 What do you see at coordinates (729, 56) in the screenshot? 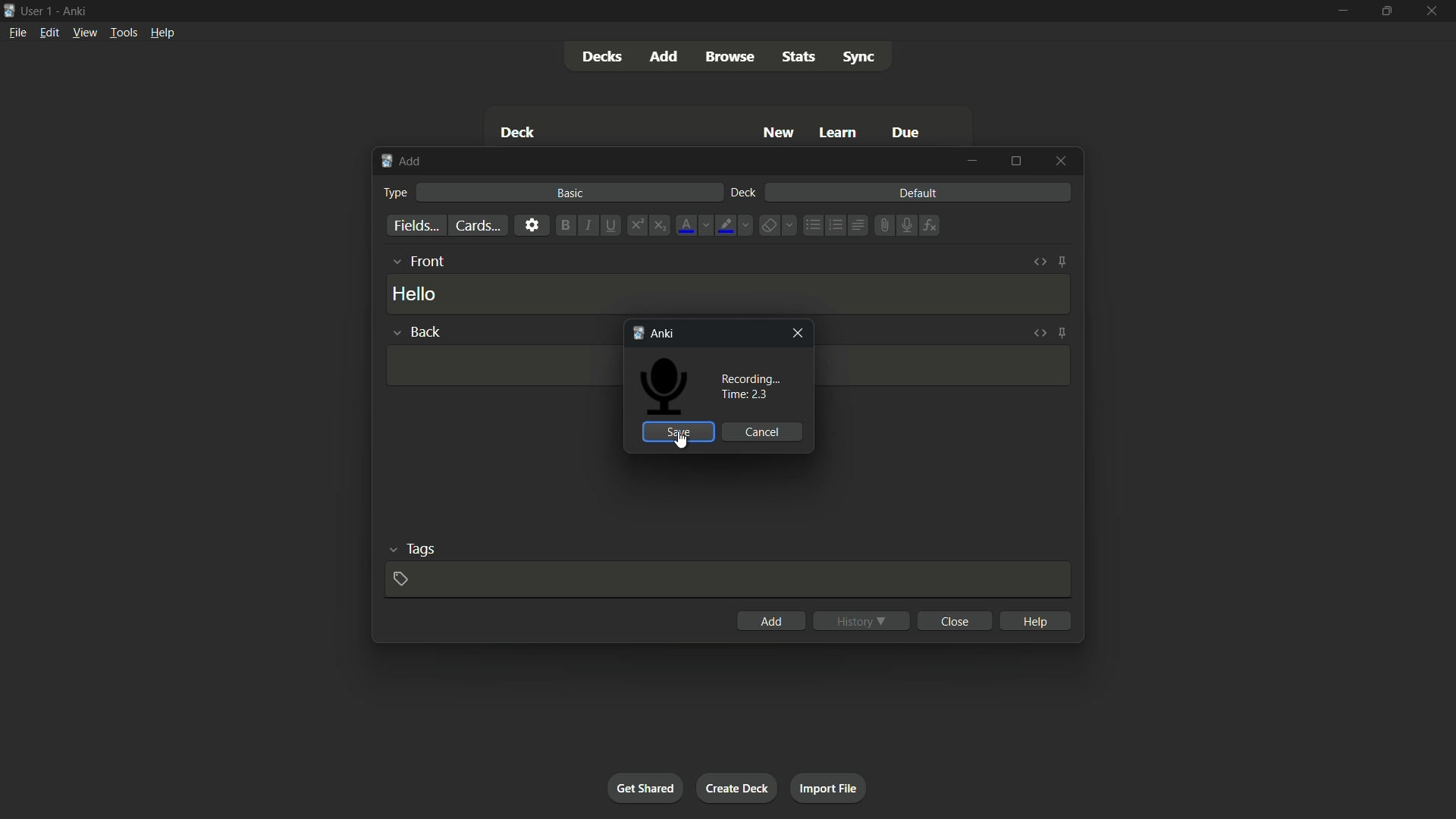
I see `browse` at bounding box center [729, 56].